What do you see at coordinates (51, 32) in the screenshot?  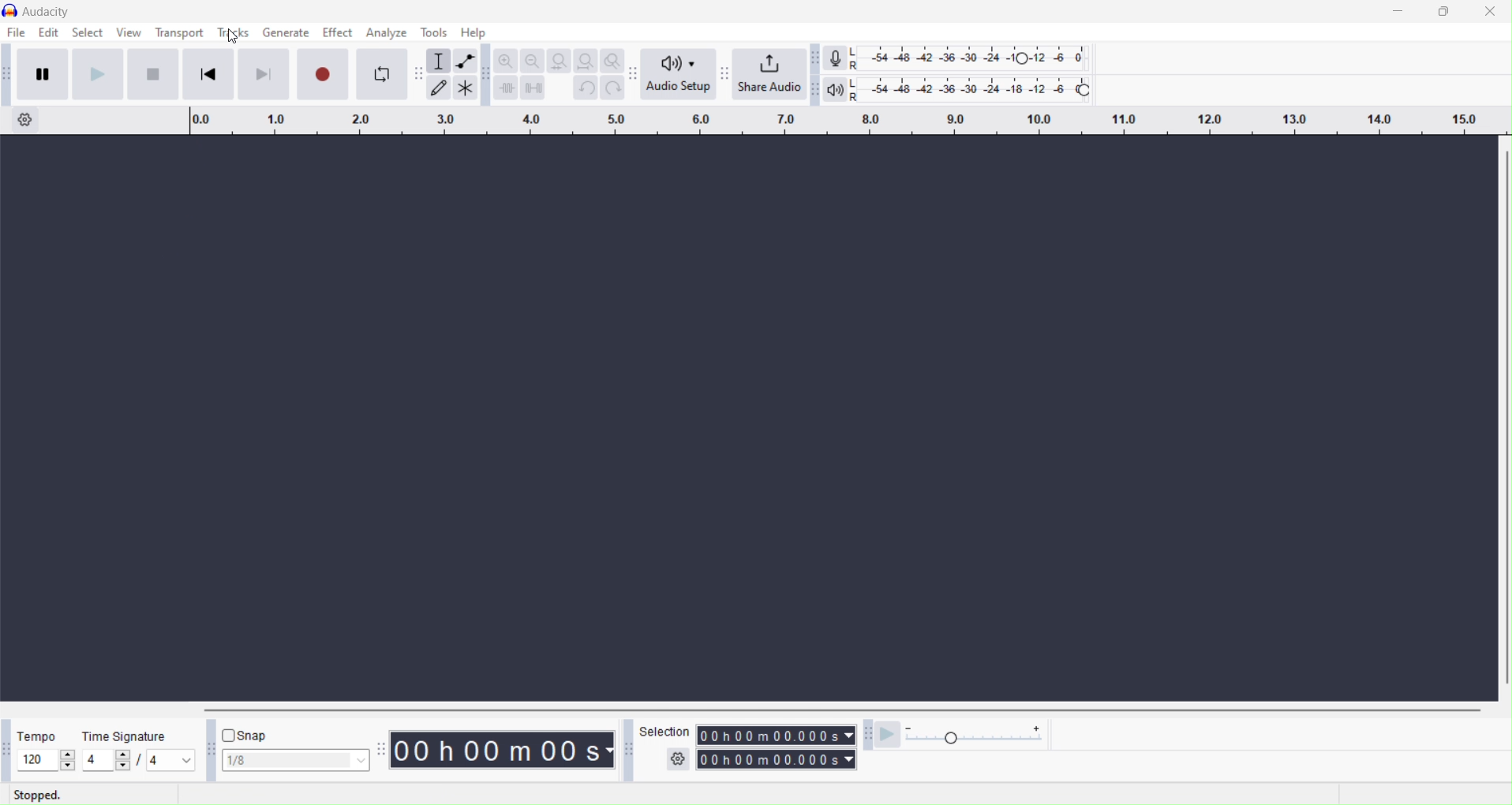 I see `Edit` at bounding box center [51, 32].